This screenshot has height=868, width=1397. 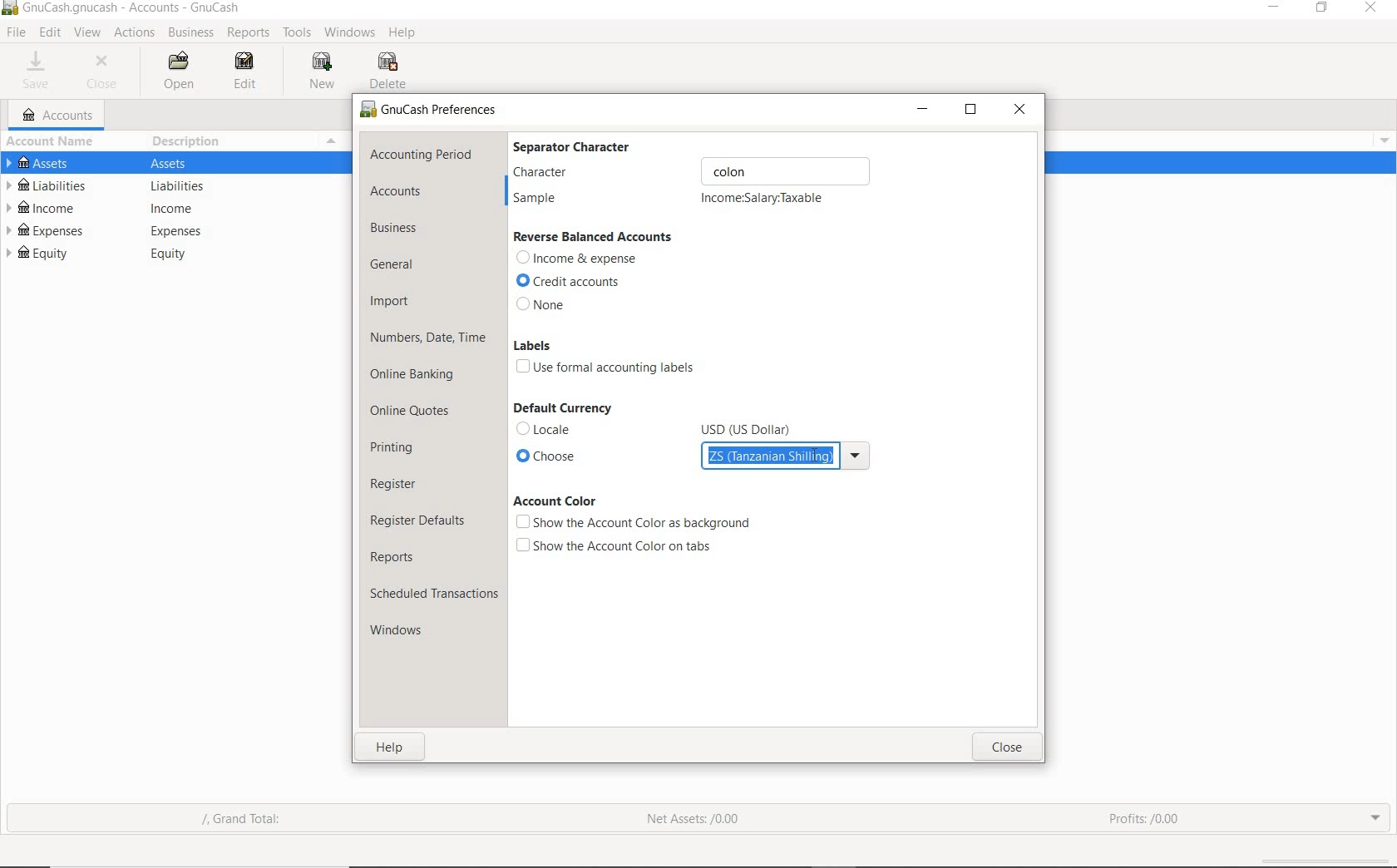 I want to click on net assets, so click(x=690, y=818).